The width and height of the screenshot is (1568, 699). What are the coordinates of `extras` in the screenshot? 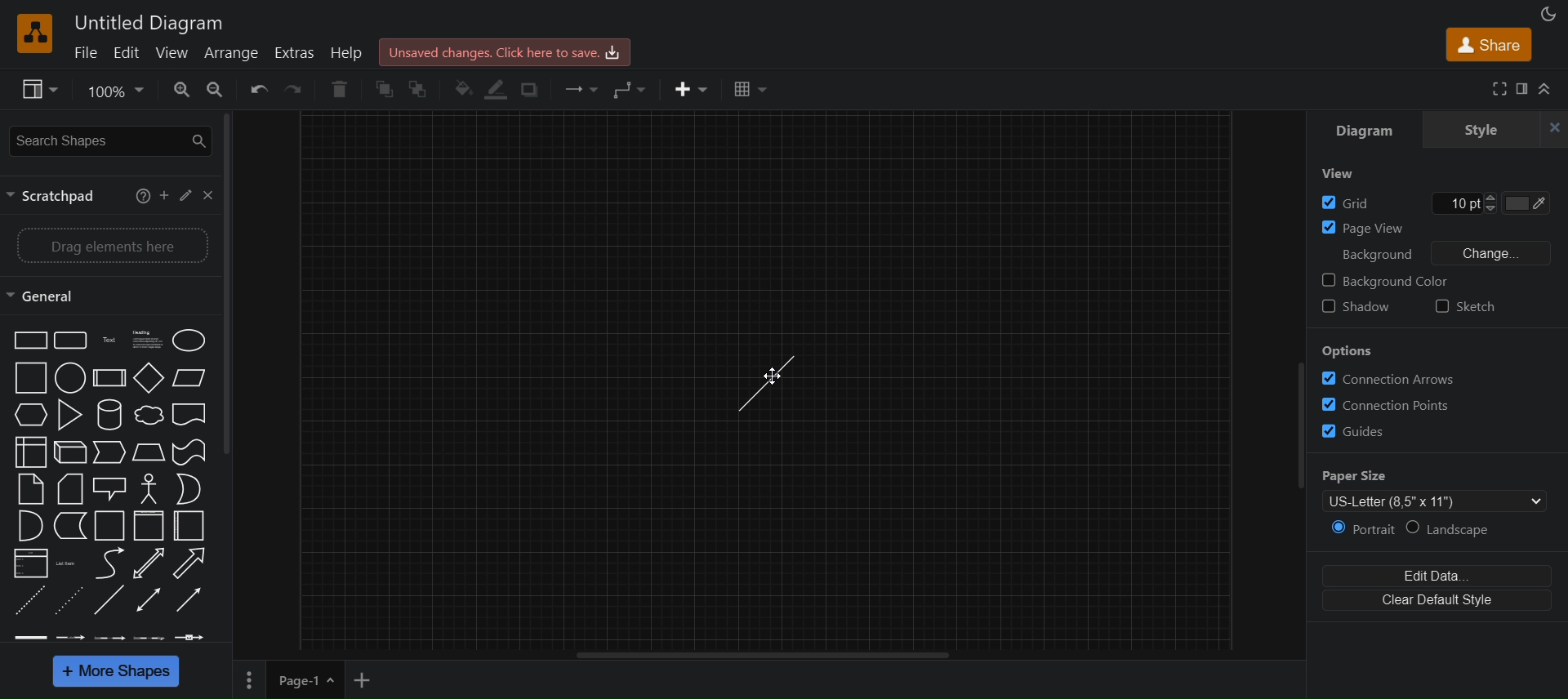 It's located at (296, 53).